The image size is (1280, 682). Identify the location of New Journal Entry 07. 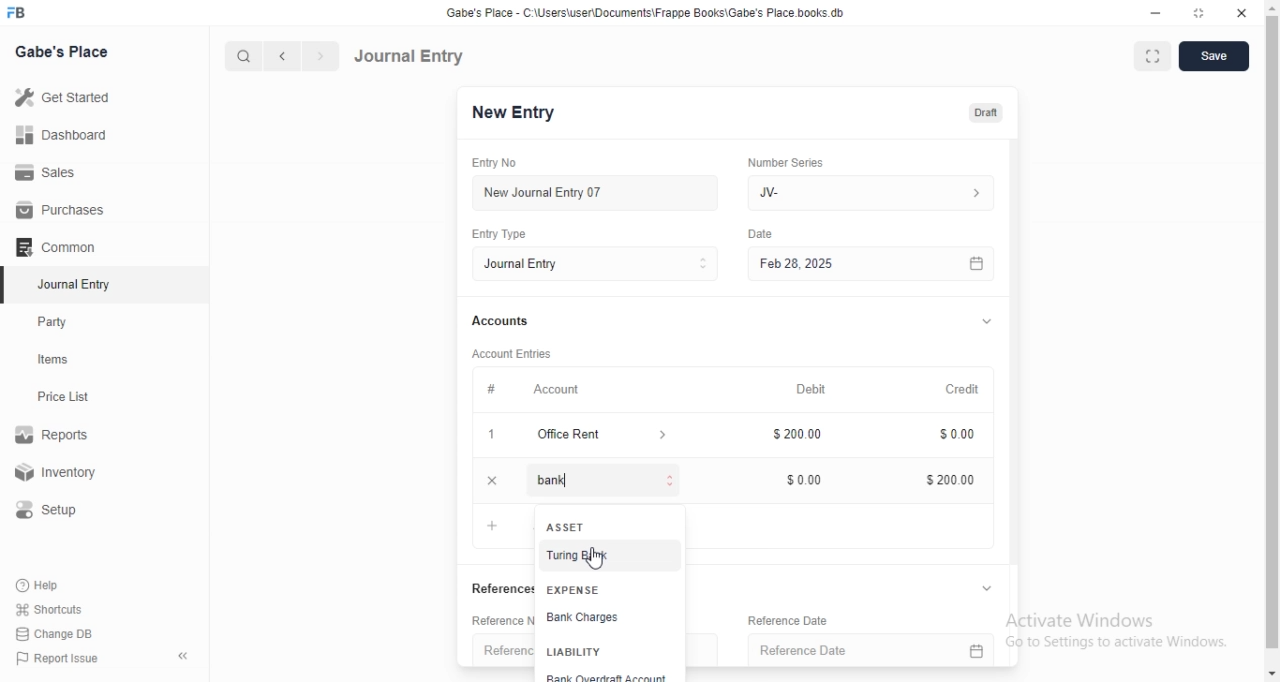
(550, 193).